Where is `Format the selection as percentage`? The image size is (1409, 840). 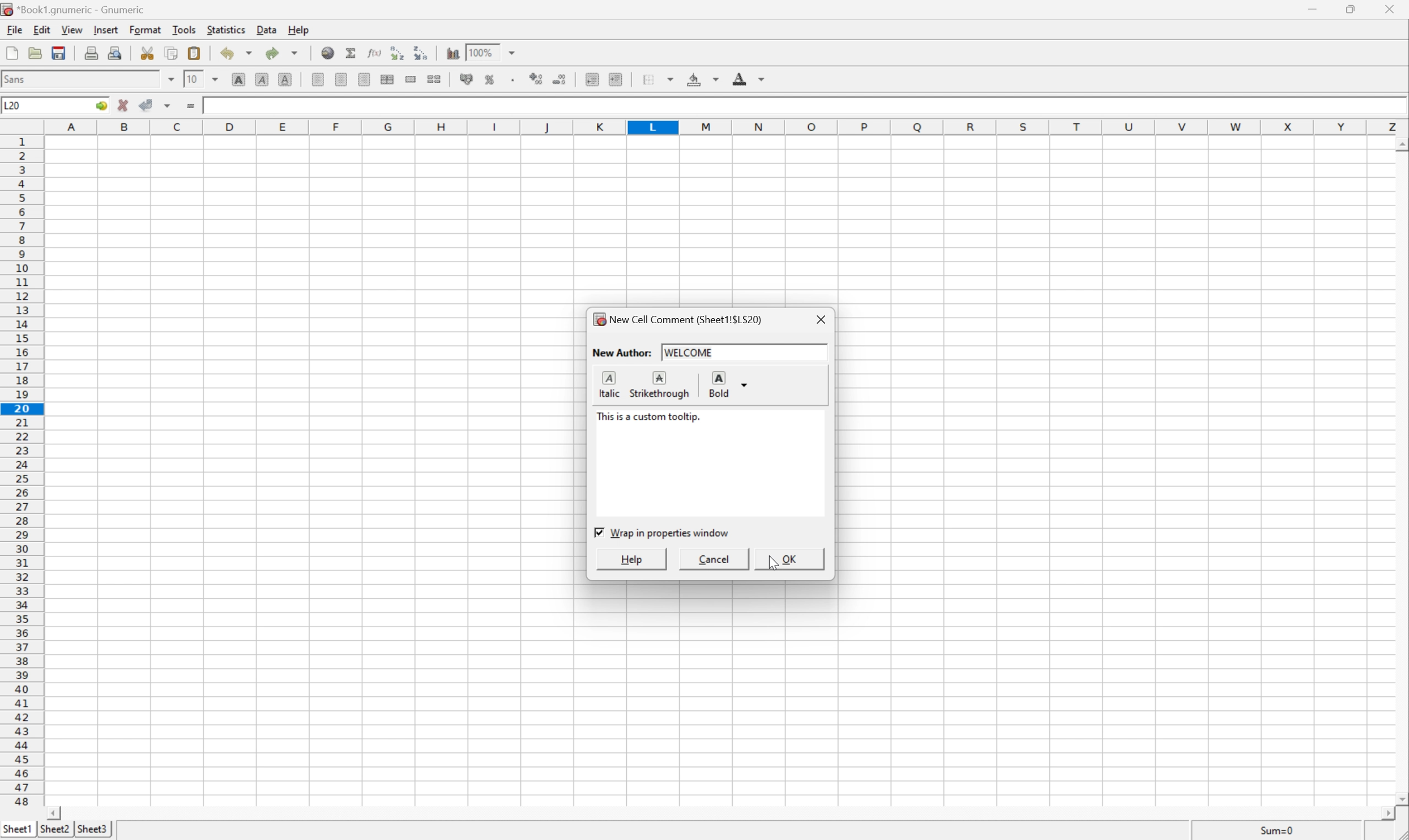
Format the selection as percentage is located at coordinates (490, 79).